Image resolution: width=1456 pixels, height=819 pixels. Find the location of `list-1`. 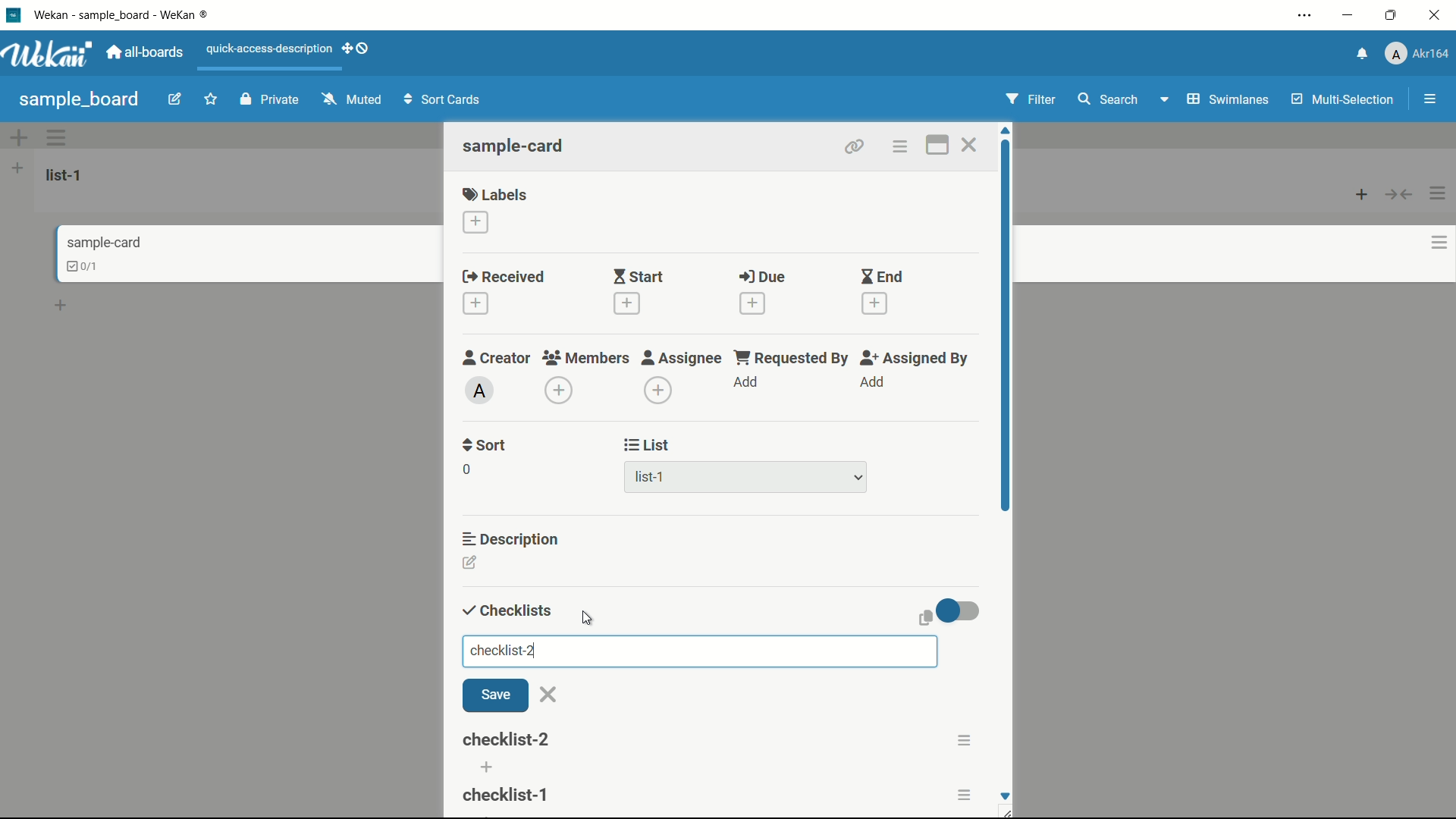

list-1 is located at coordinates (67, 174).